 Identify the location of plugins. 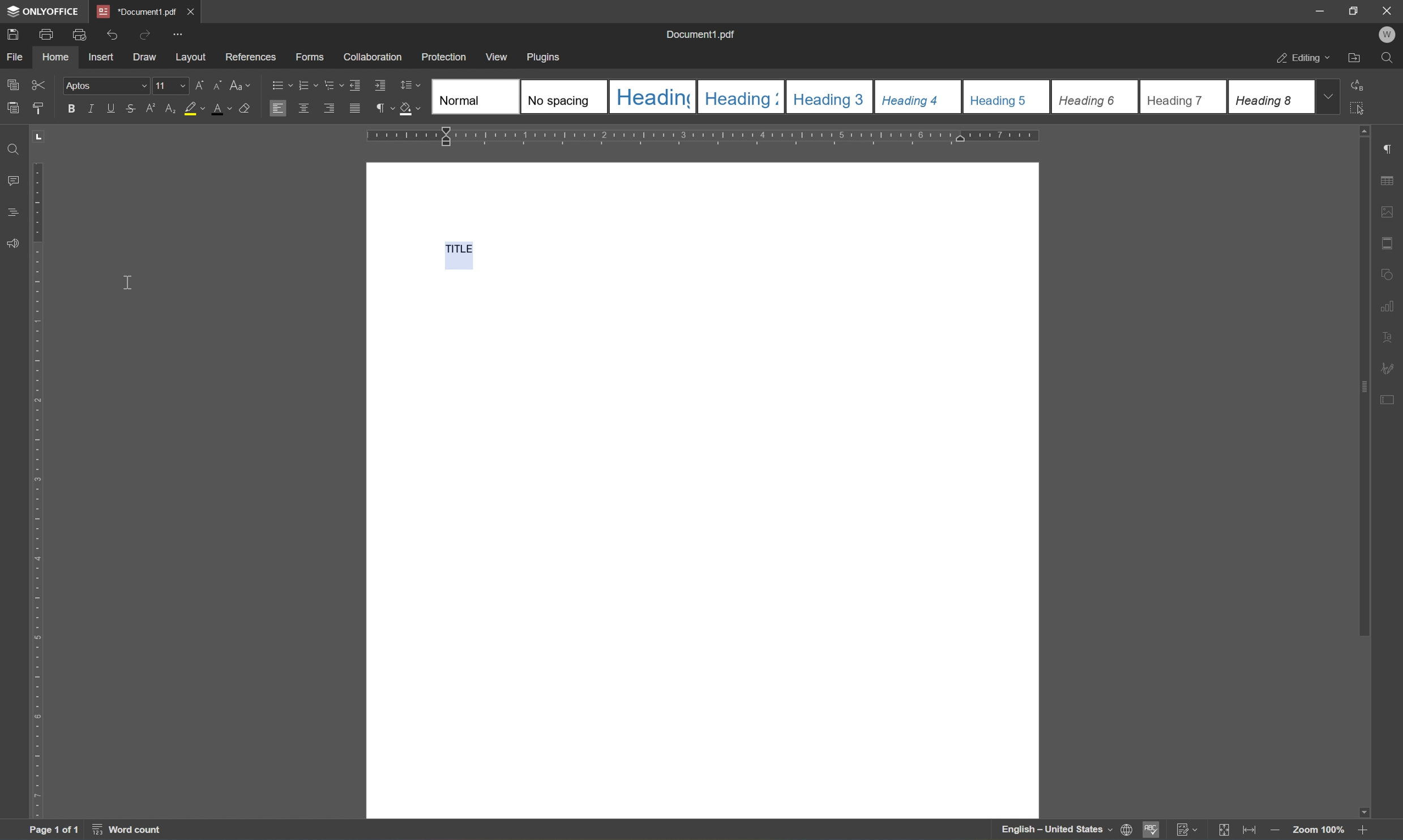
(544, 57).